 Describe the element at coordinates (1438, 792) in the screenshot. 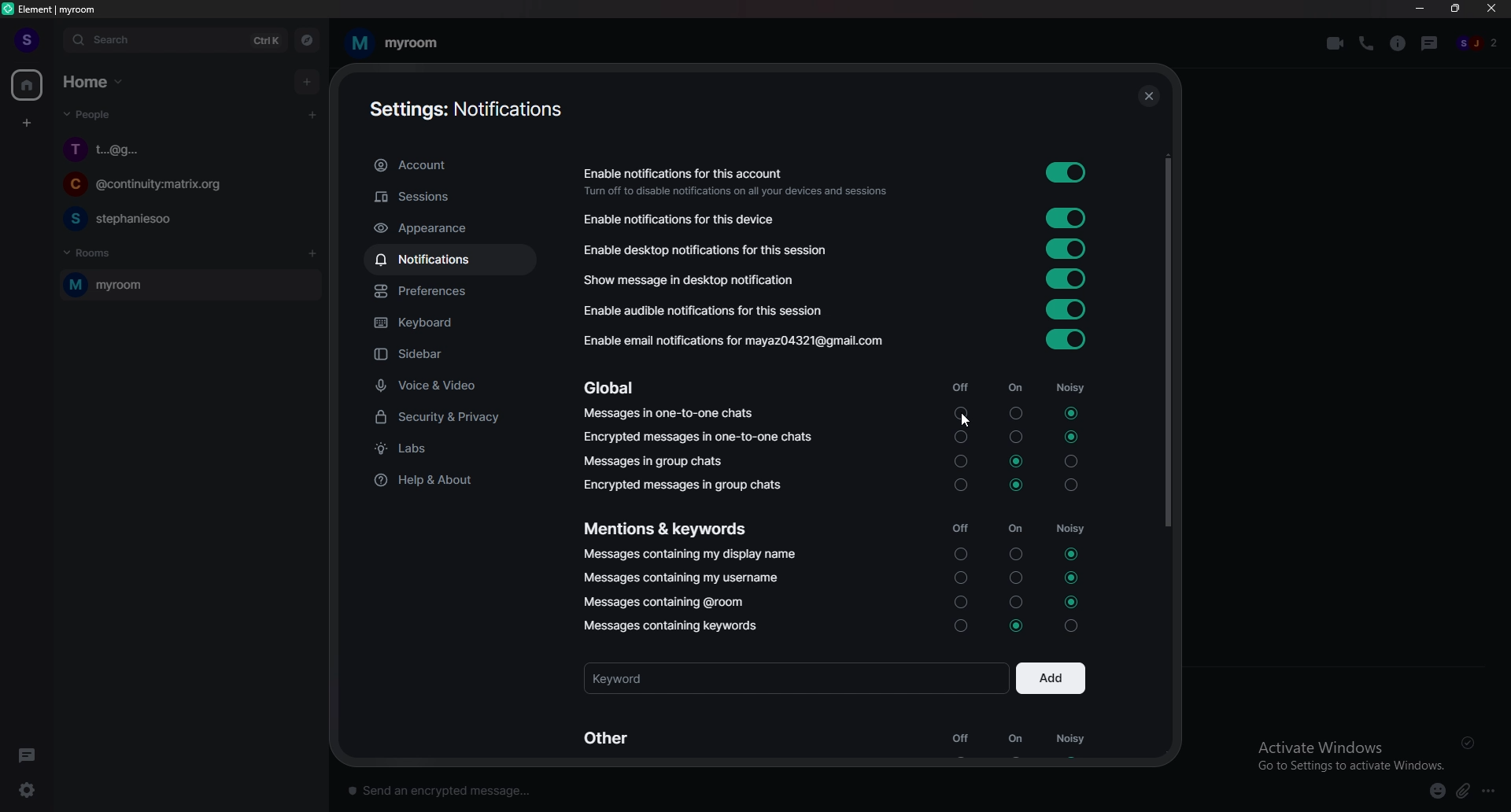

I see `emoji` at that location.